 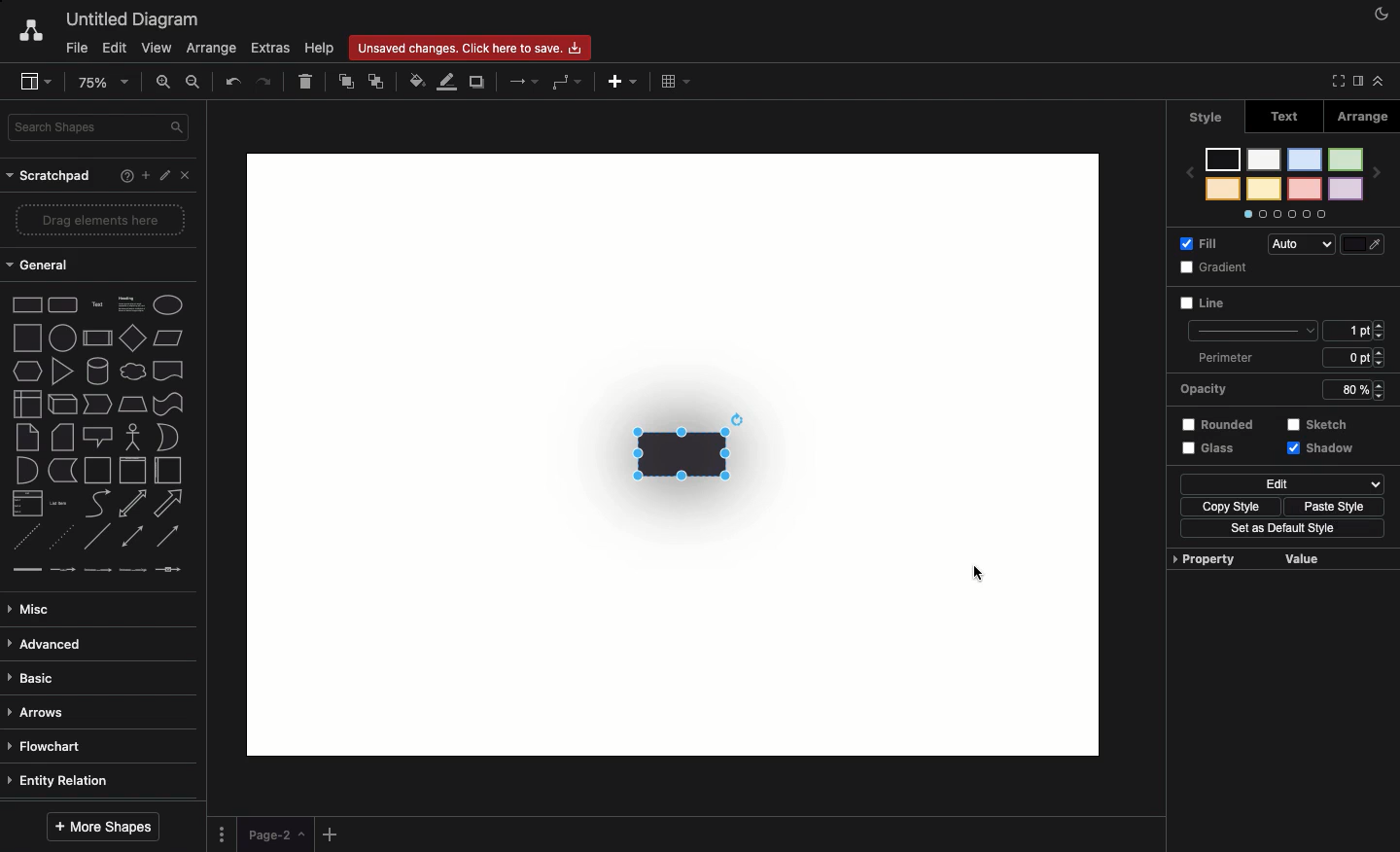 What do you see at coordinates (144, 175) in the screenshot?
I see `Add` at bounding box center [144, 175].